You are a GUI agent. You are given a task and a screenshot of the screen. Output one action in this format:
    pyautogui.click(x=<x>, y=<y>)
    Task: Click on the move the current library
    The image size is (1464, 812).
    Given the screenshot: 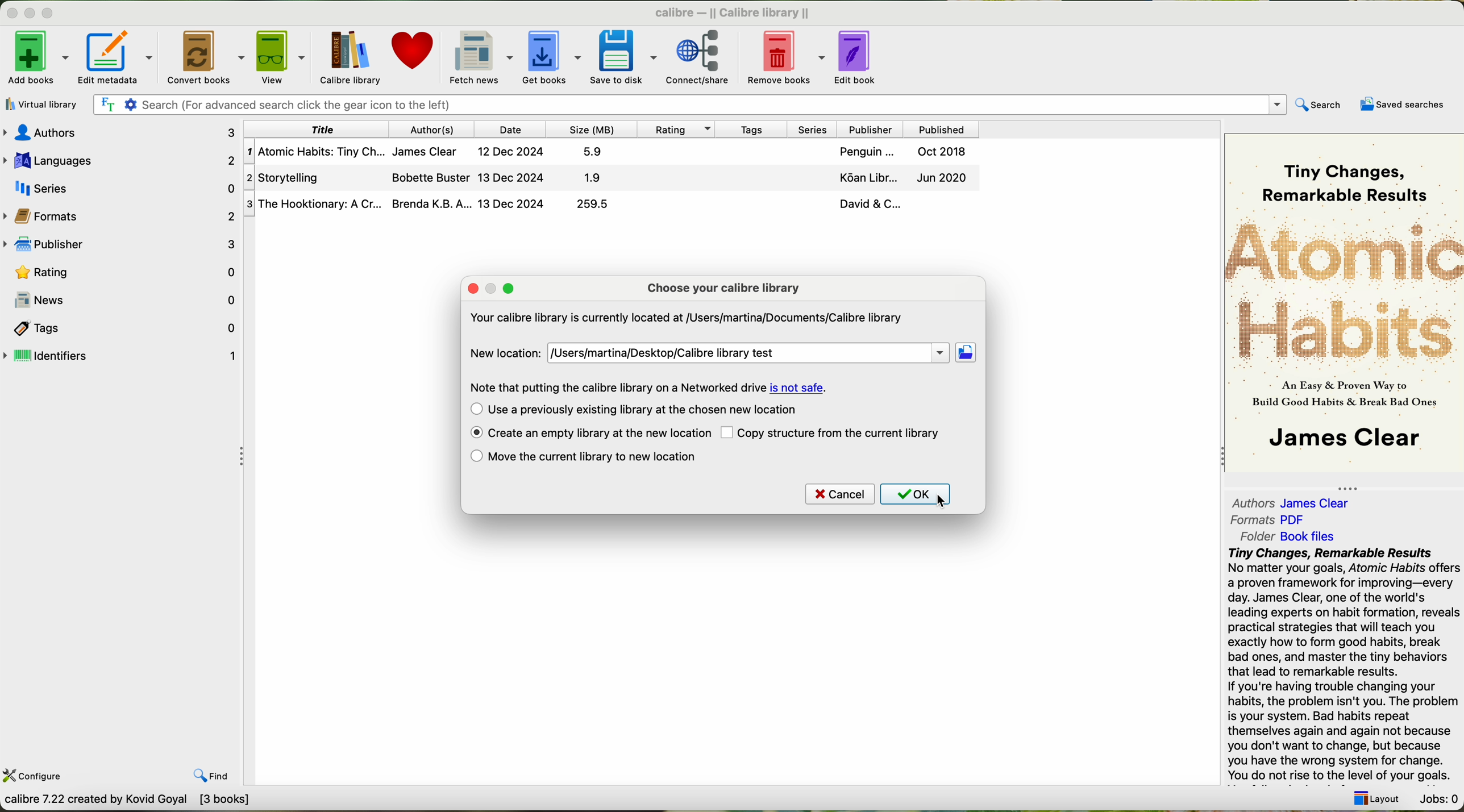 What is the action you would take?
    pyautogui.click(x=584, y=457)
    